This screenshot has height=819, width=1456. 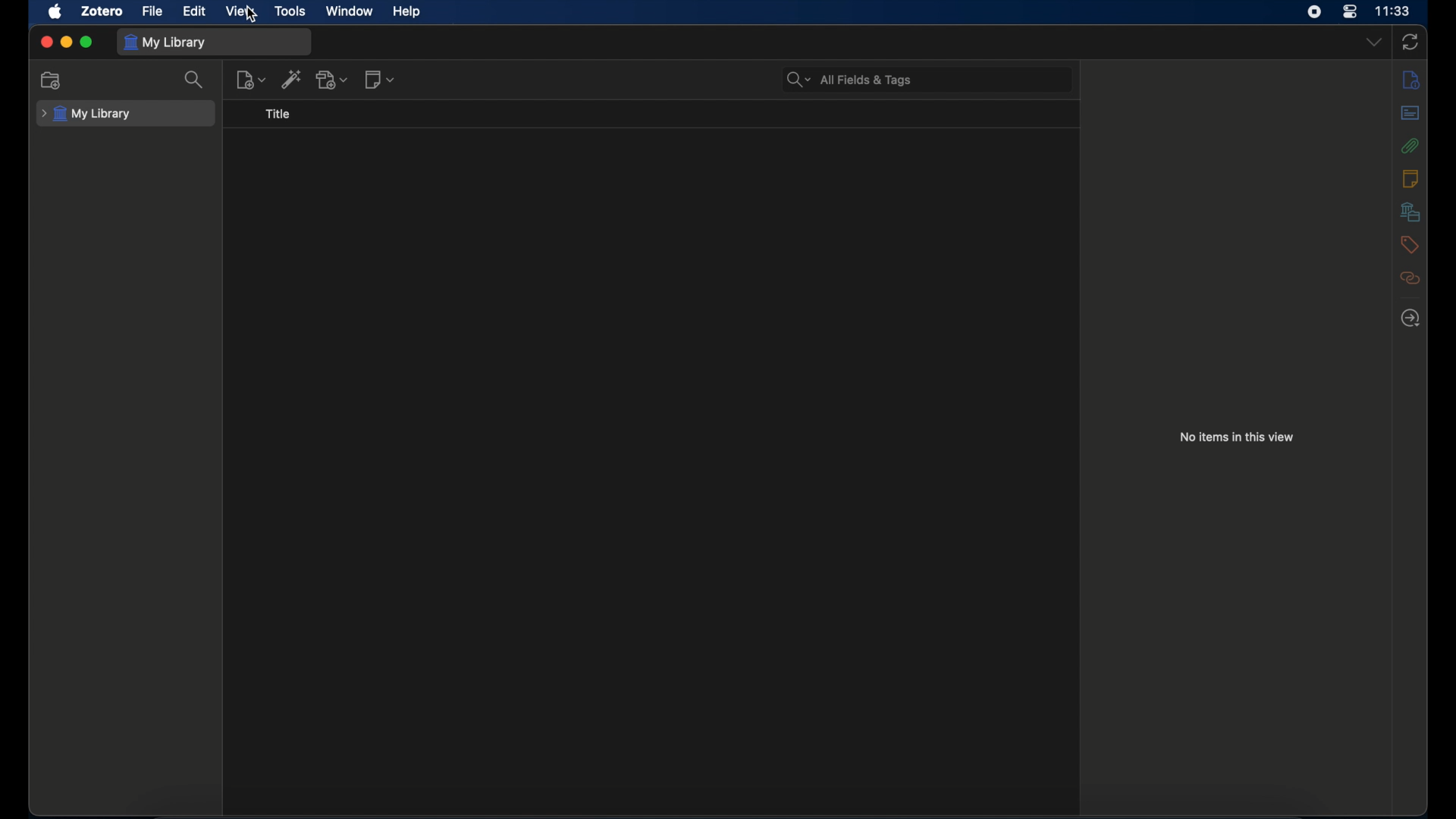 What do you see at coordinates (1409, 178) in the screenshot?
I see `notes` at bounding box center [1409, 178].